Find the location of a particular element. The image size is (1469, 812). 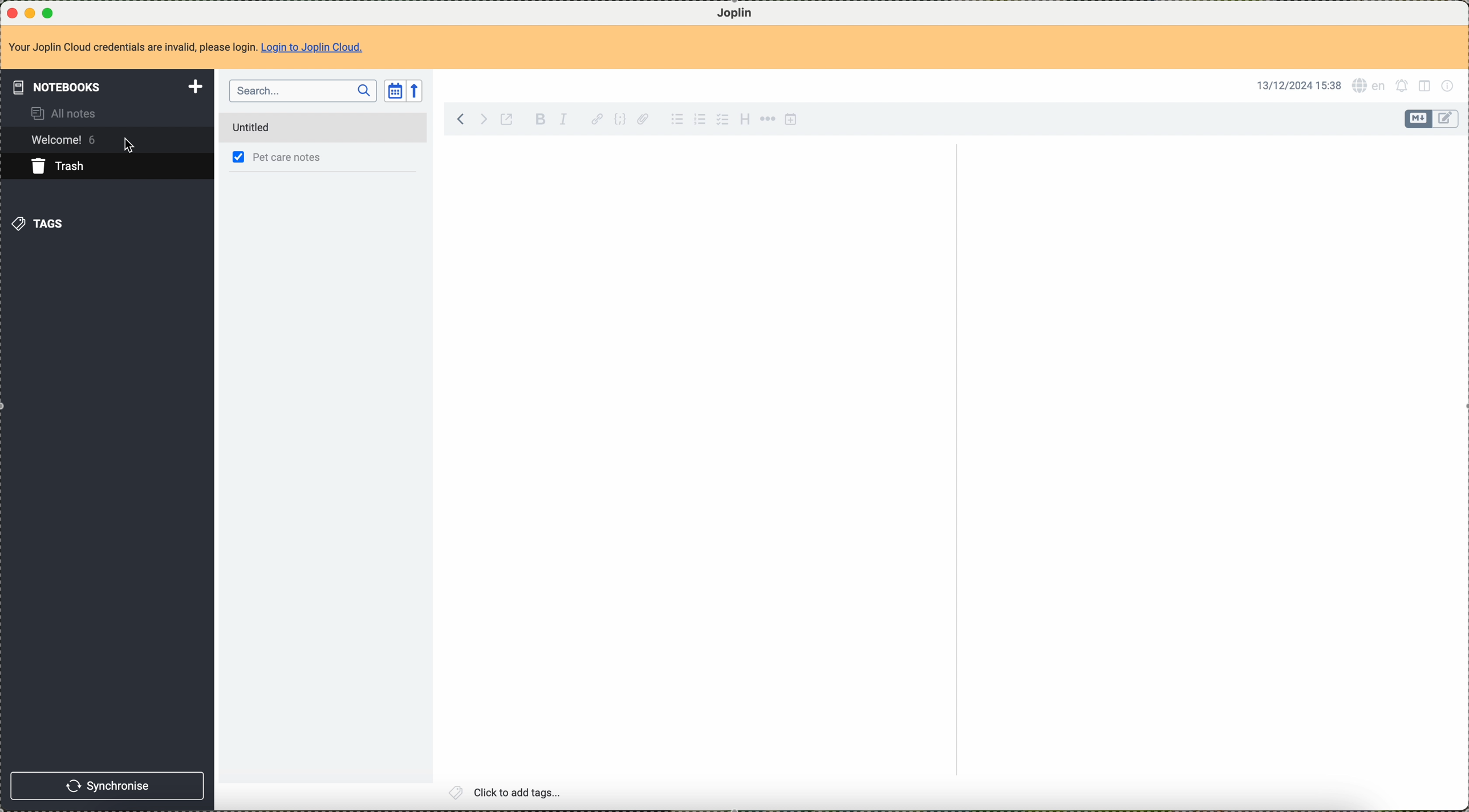

toggle editor is located at coordinates (1447, 118).